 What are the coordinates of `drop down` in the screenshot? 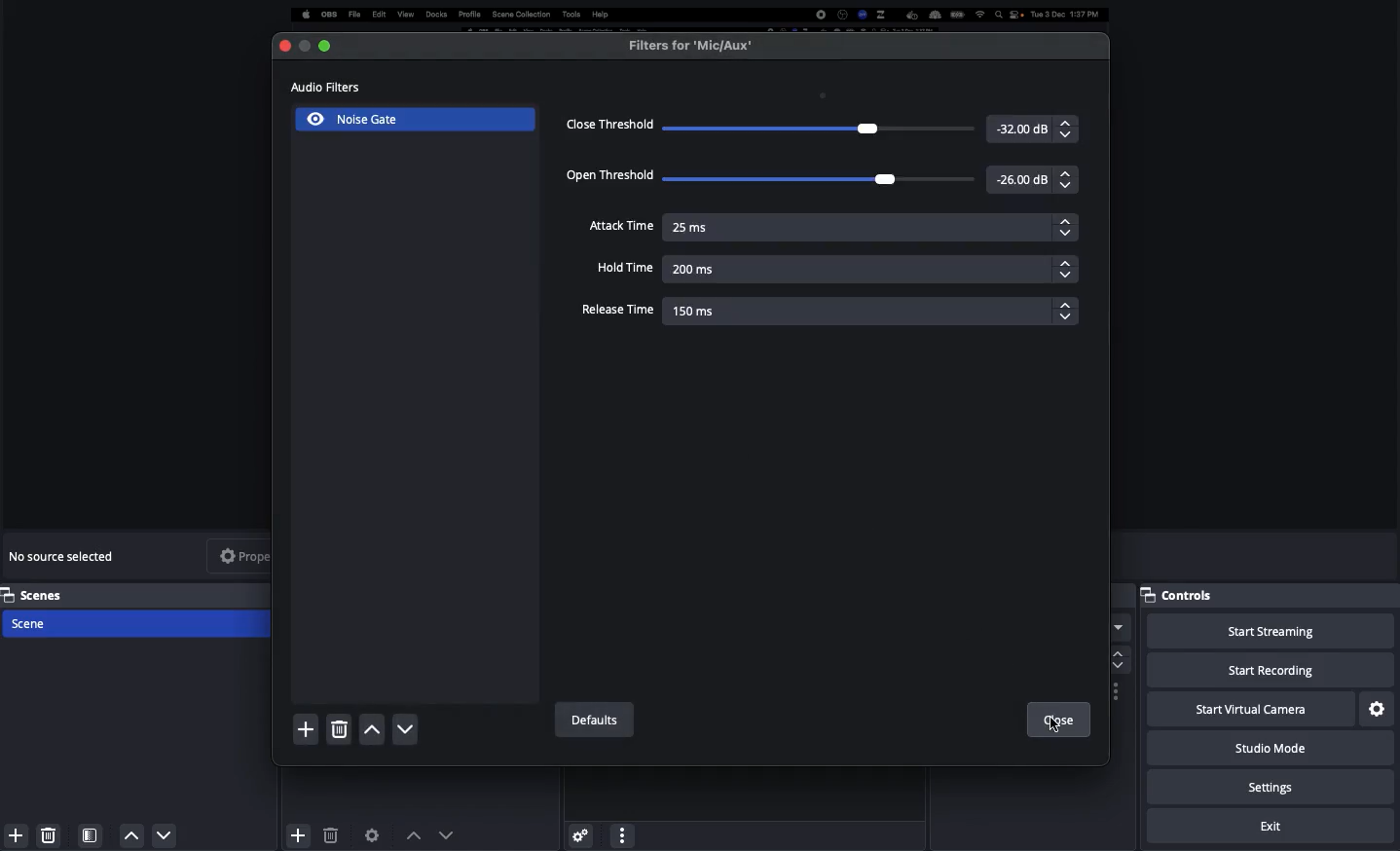 It's located at (1119, 630).